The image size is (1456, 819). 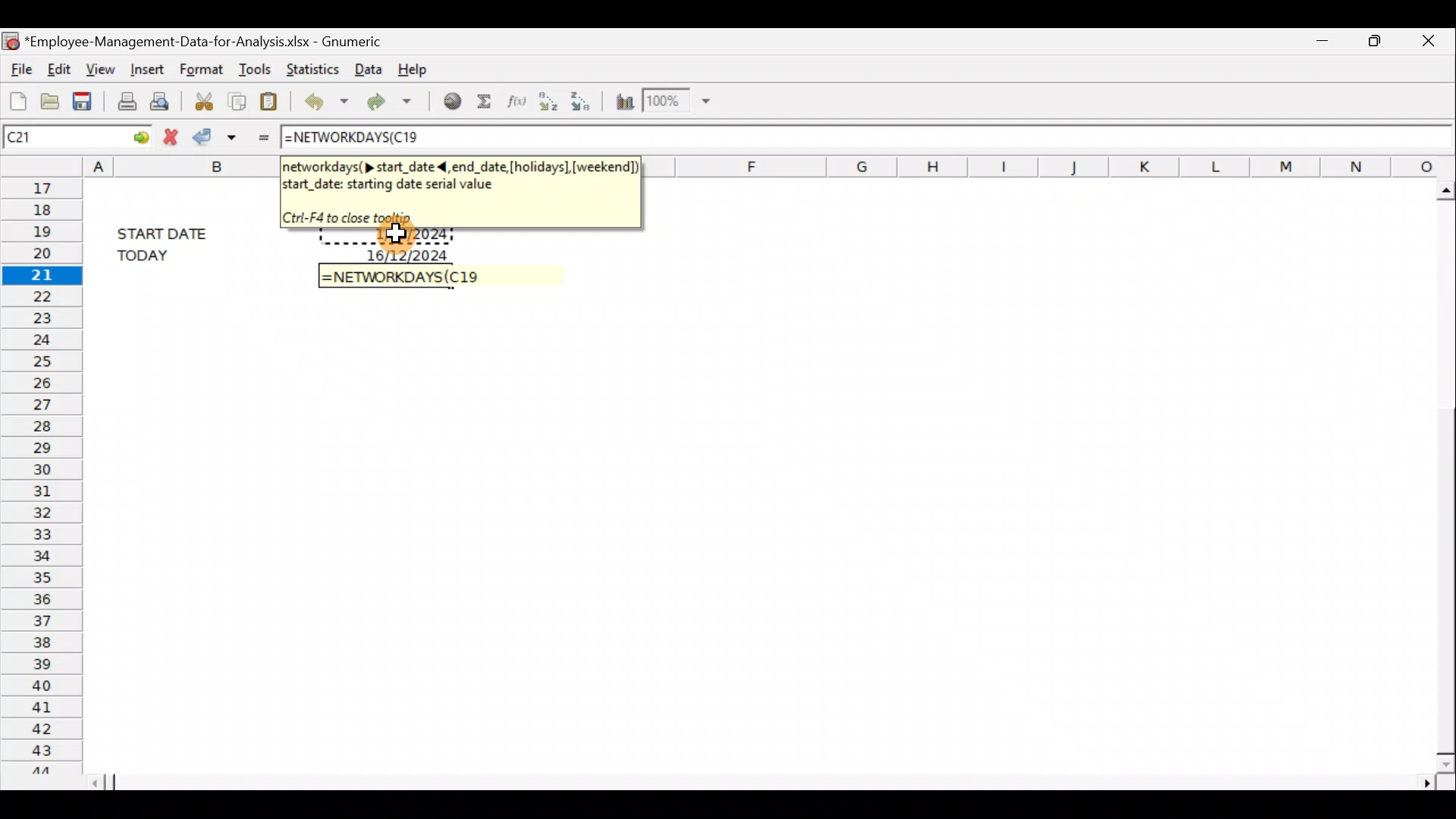 What do you see at coordinates (49, 136) in the screenshot?
I see `Cell name C21` at bounding box center [49, 136].